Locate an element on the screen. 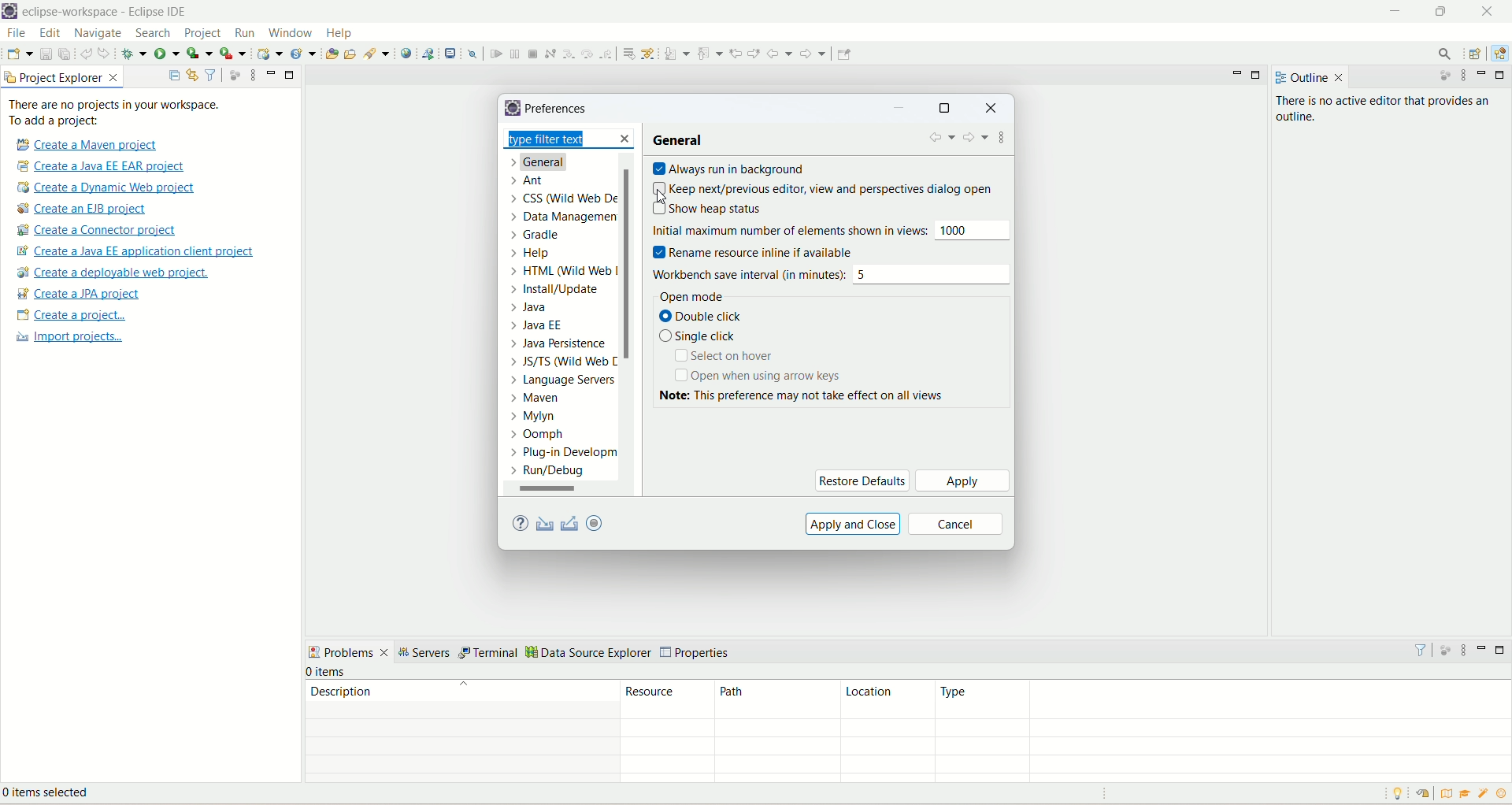 The width and height of the screenshot is (1512, 805). new is located at coordinates (19, 54).